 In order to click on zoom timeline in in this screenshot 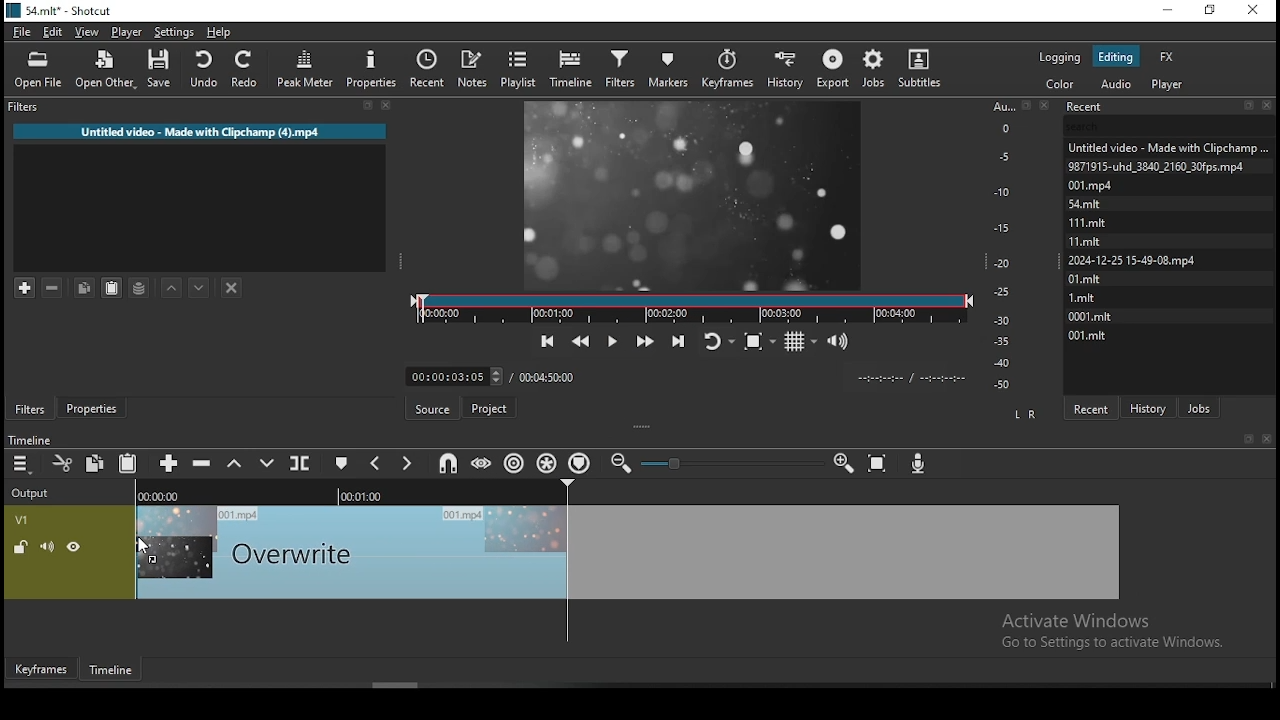, I will do `click(623, 464)`.